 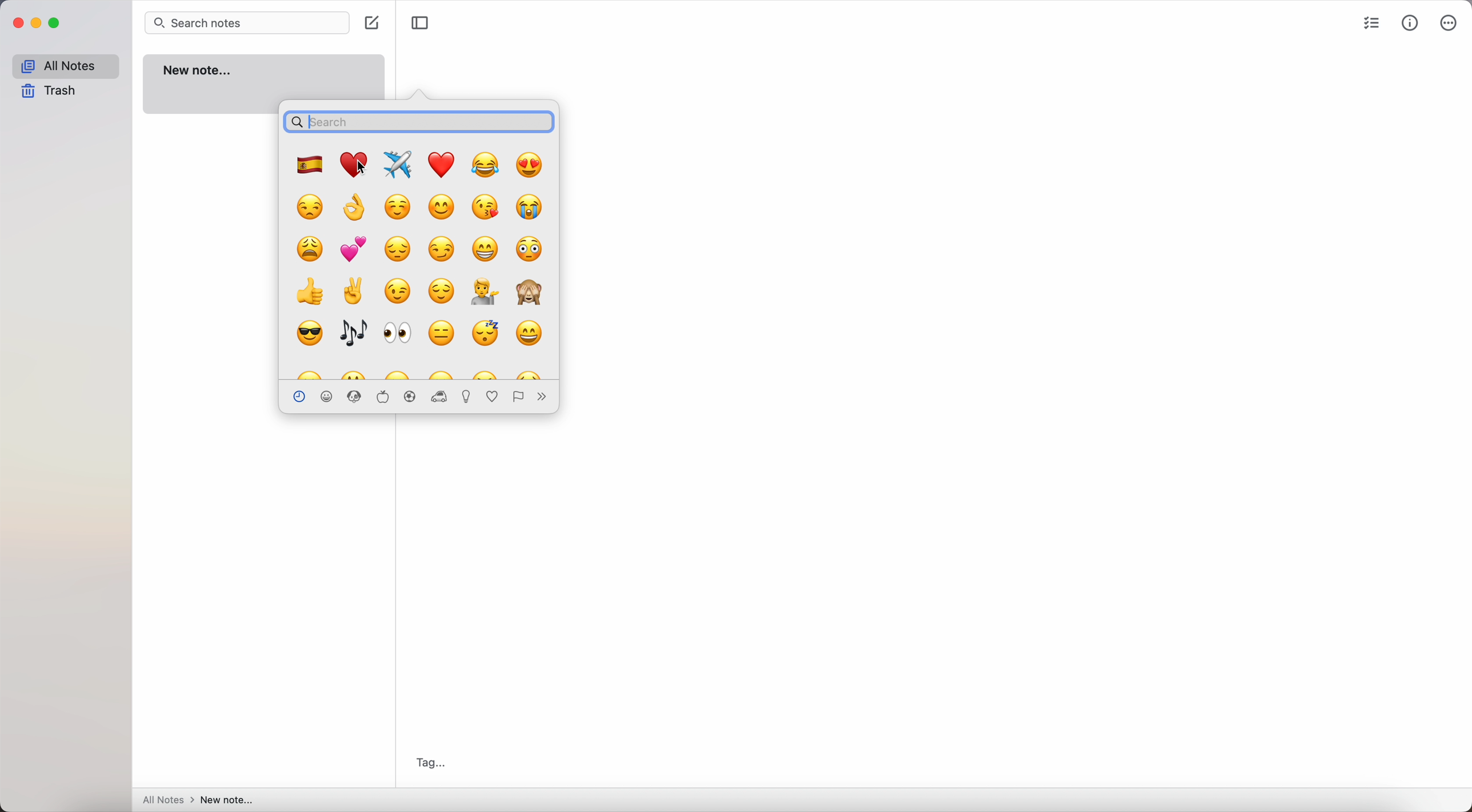 What do you see at coordinates (16, 23) in the screenshot?
I see `close Simplenote` at bounding box center [16, 23].